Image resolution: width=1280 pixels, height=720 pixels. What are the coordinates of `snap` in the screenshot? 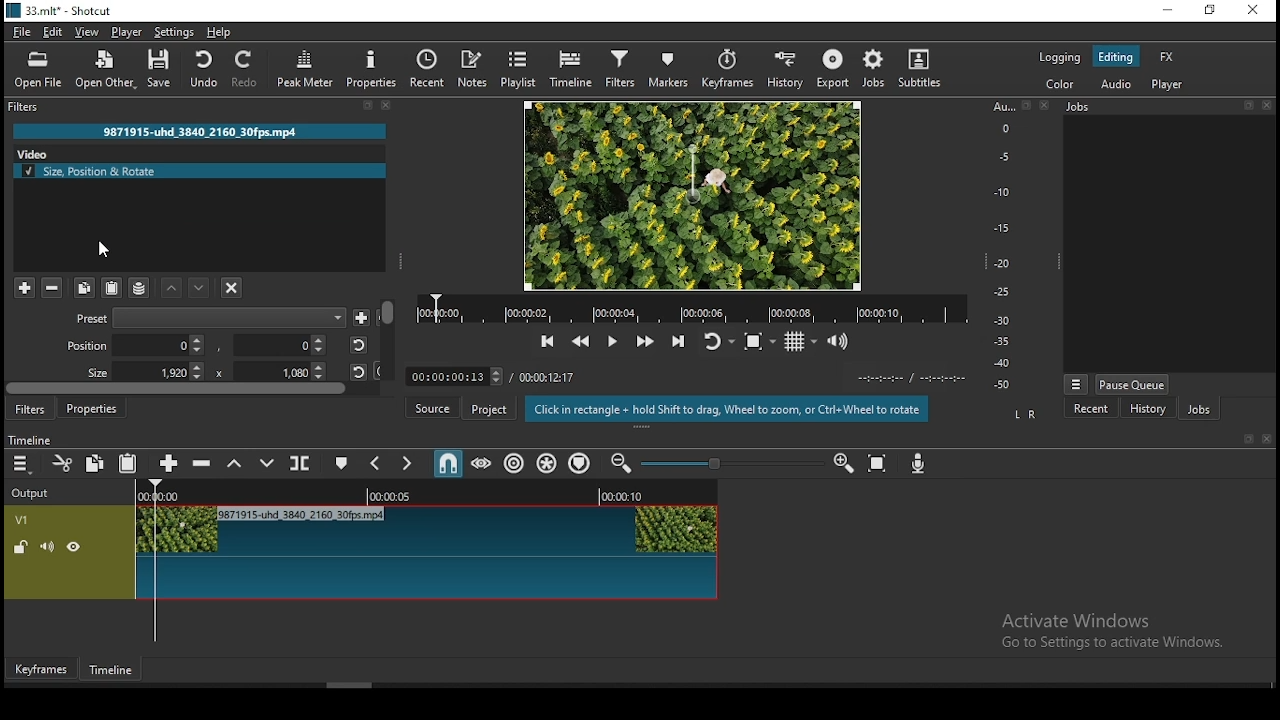 It's located at (449, 464).